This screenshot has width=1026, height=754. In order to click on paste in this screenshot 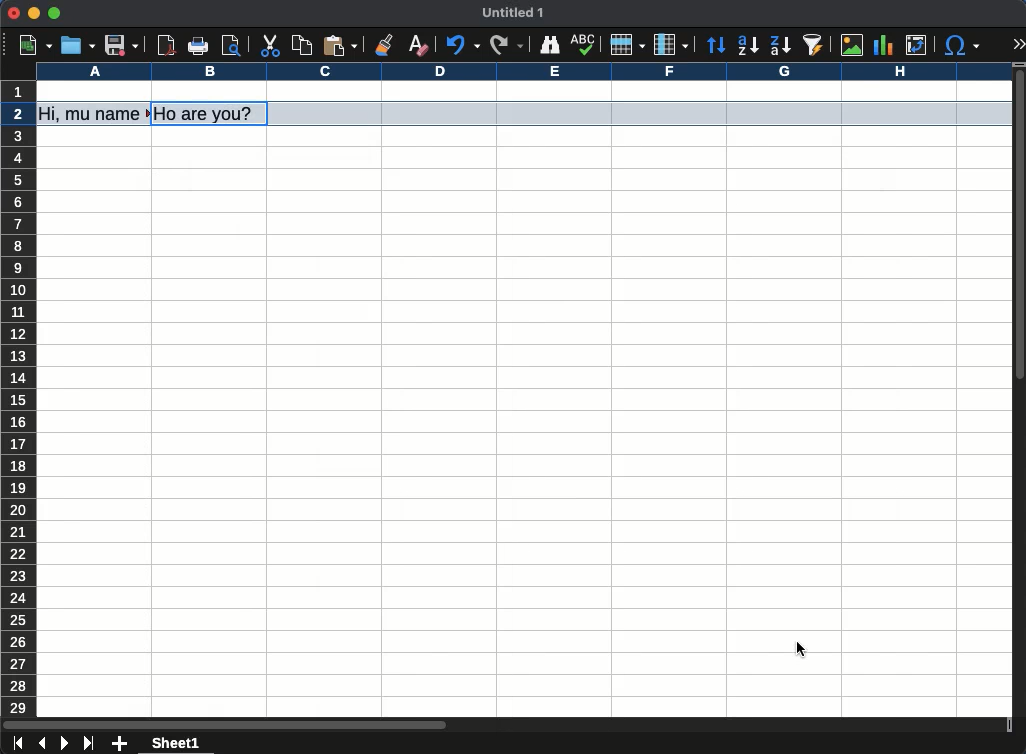, I will do `click(342, 44)`.